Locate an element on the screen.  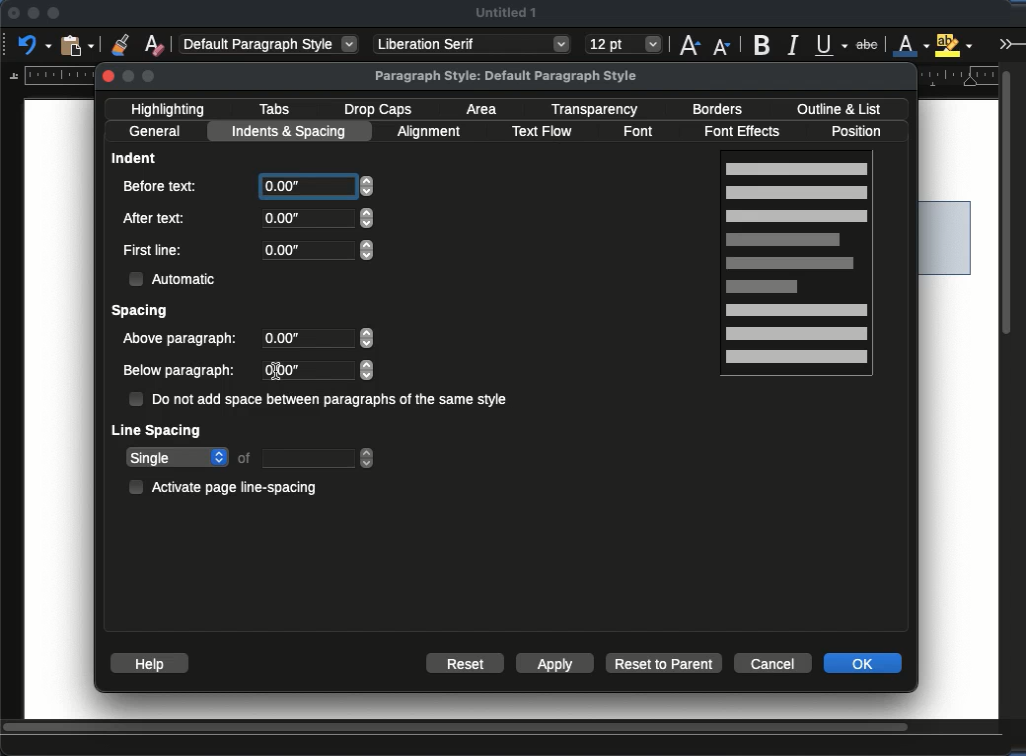
paragraph style: default paragraph style is located at coordinates (507, 76).